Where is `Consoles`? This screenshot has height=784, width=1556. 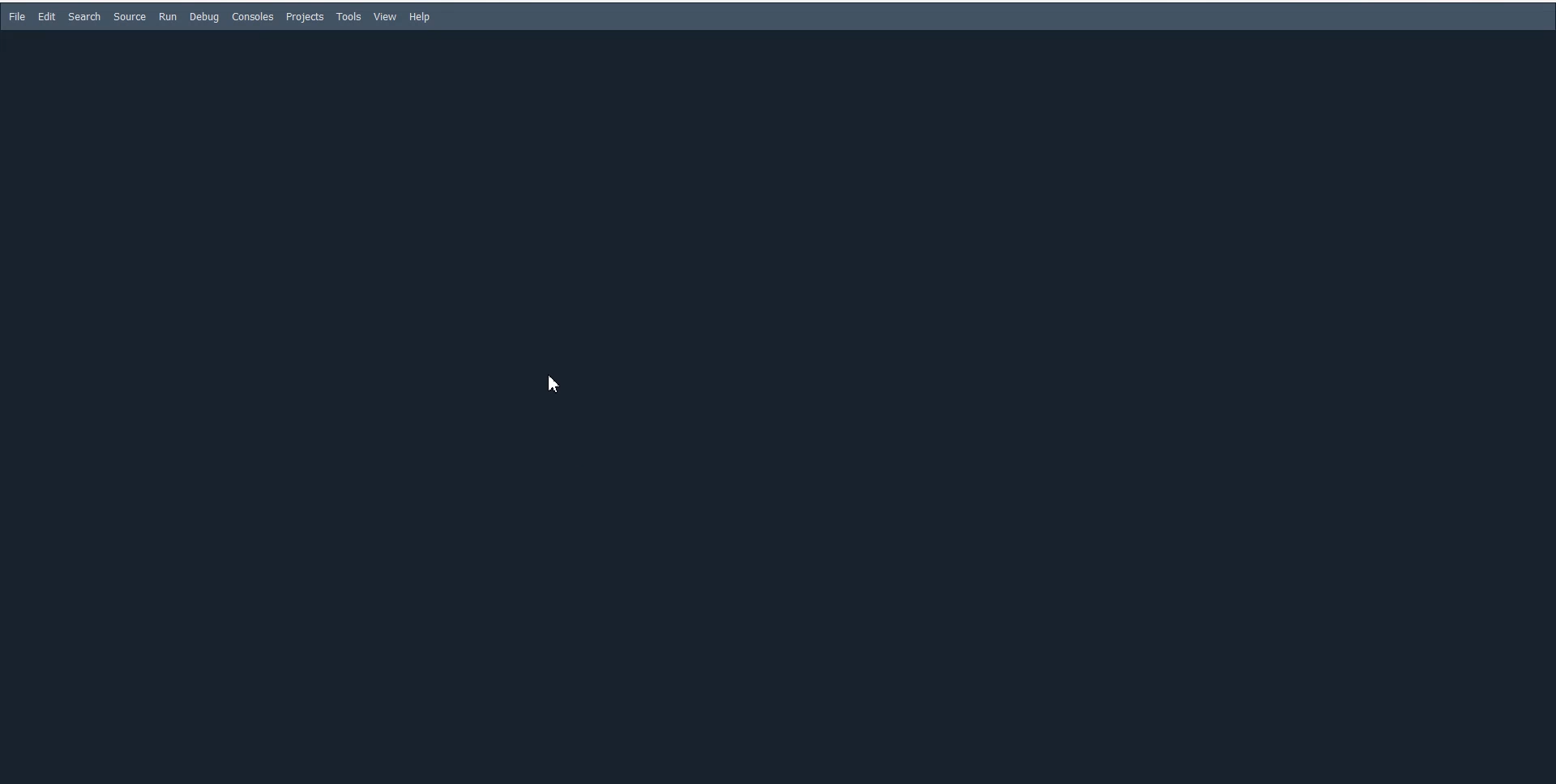
Consoles is located at coordinates (253, 16).